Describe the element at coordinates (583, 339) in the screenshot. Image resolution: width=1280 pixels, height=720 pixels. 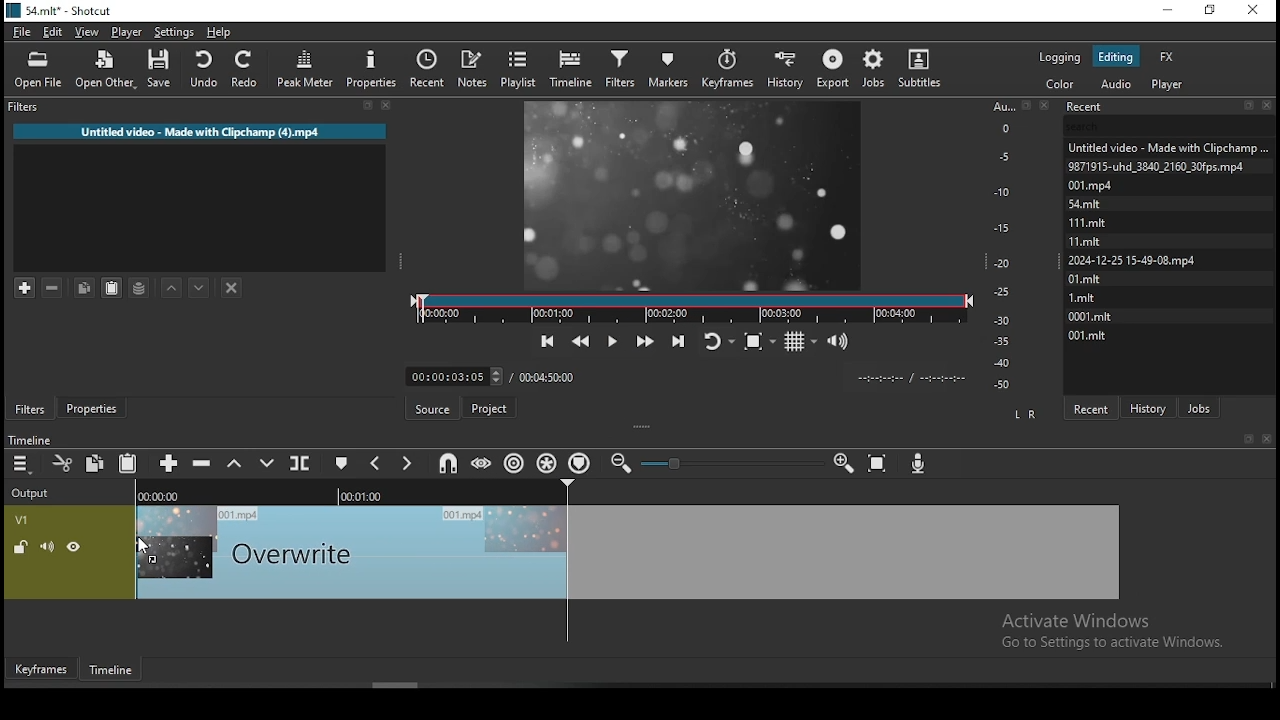
I see `play quickly backwards` at that location.